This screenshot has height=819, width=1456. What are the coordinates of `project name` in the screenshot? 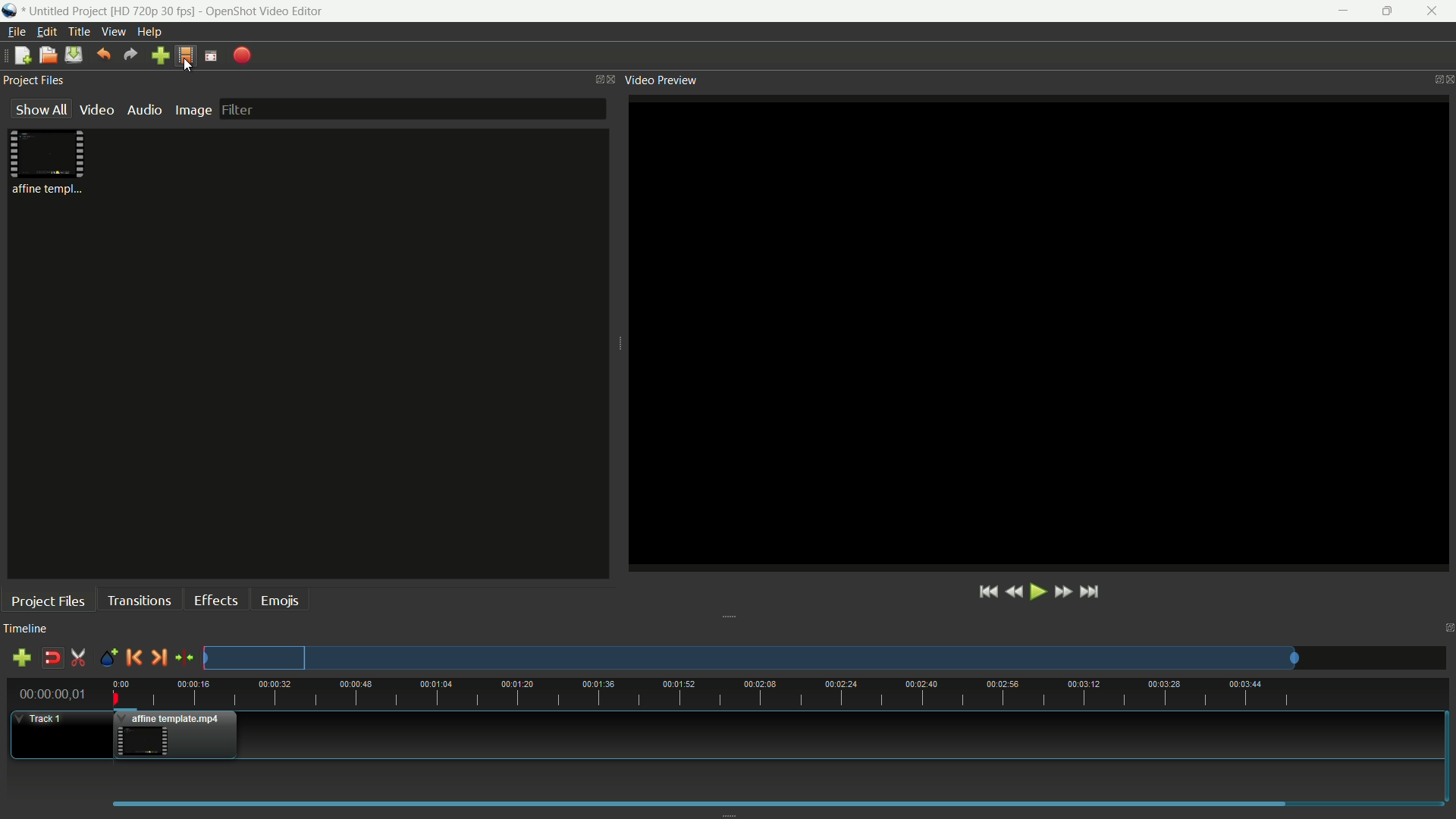 It's located at (65, 11).